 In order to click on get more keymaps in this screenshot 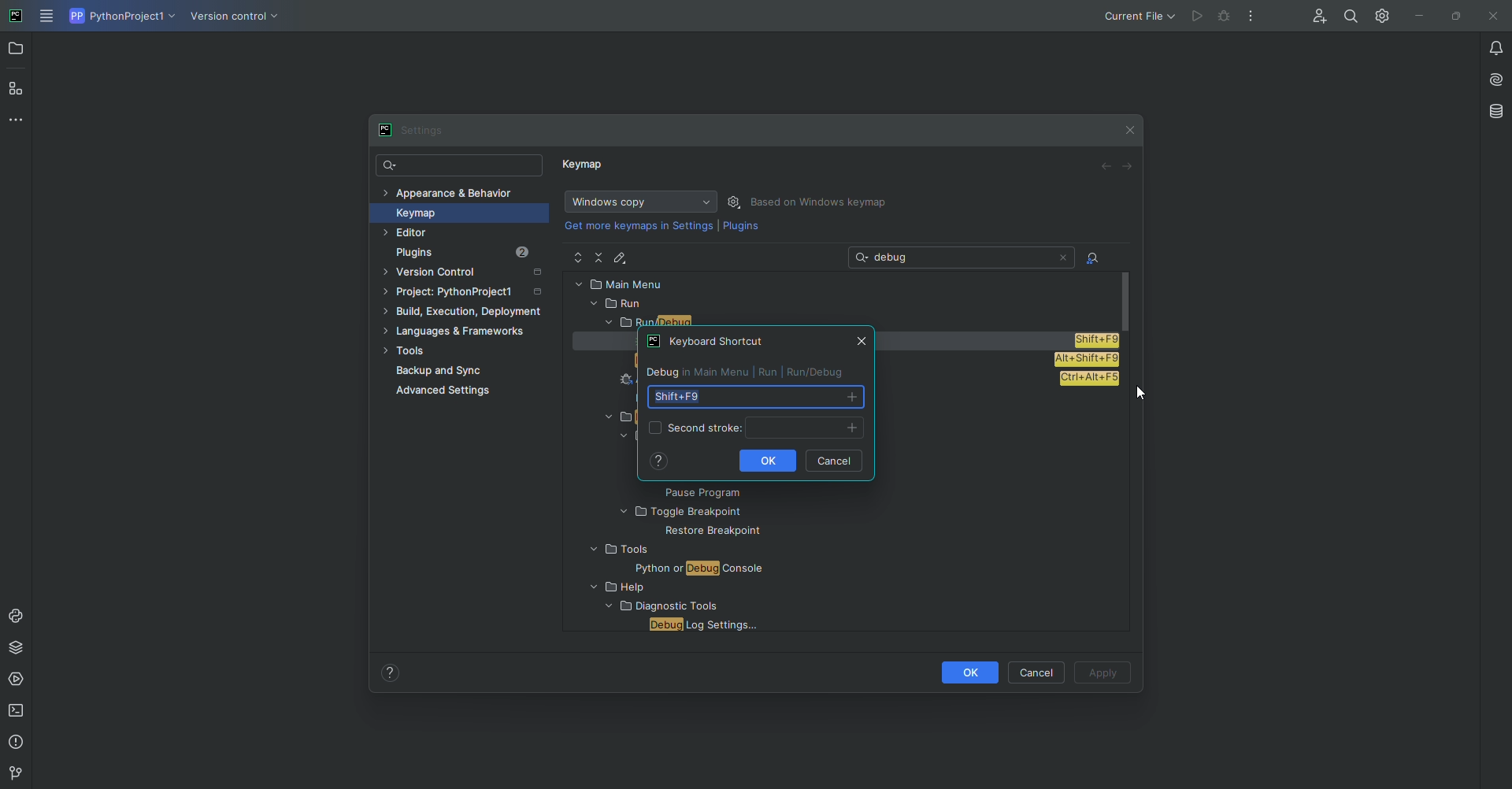, I will do `click(640, 225)`.